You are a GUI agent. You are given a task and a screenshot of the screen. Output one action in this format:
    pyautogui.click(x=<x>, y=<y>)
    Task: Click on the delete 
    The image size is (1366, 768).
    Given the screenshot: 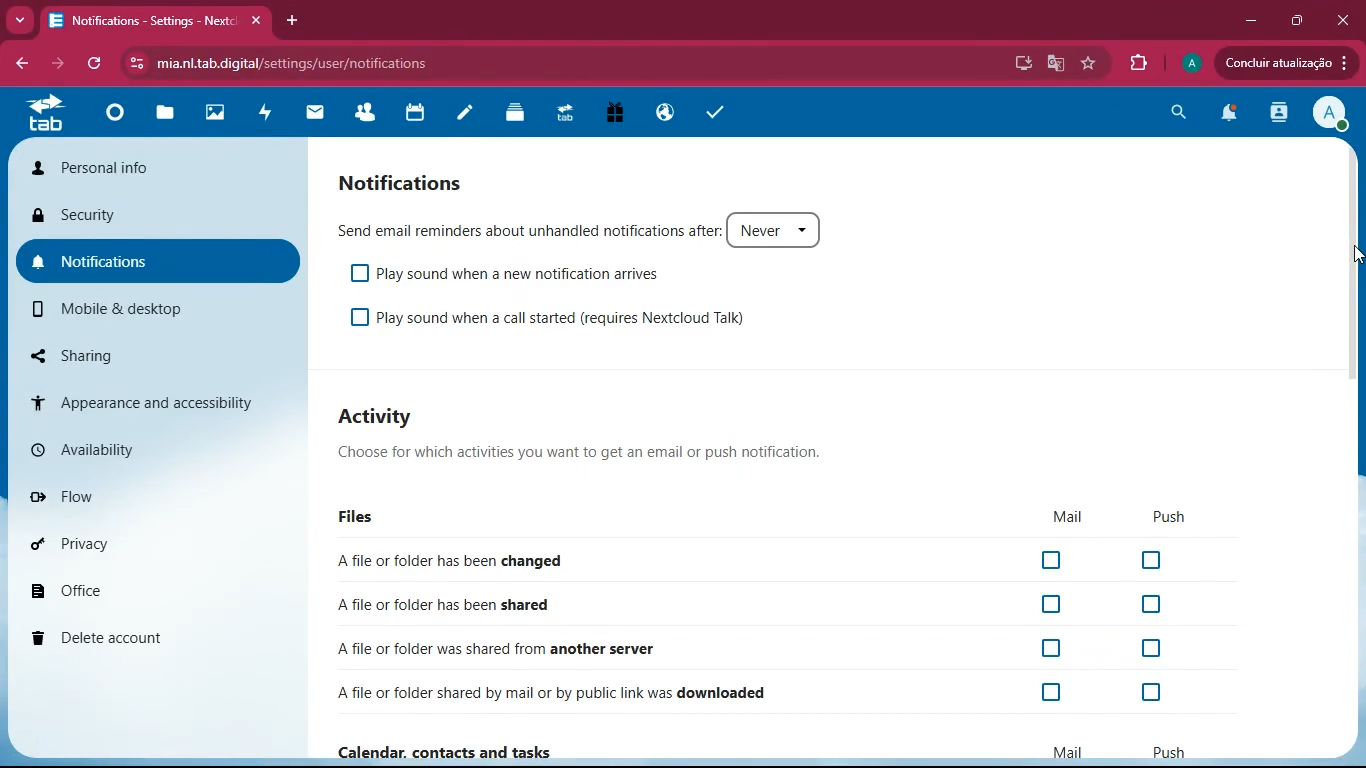 What is the action you would take?
    pyautogui.click(x=137, y=632)
    